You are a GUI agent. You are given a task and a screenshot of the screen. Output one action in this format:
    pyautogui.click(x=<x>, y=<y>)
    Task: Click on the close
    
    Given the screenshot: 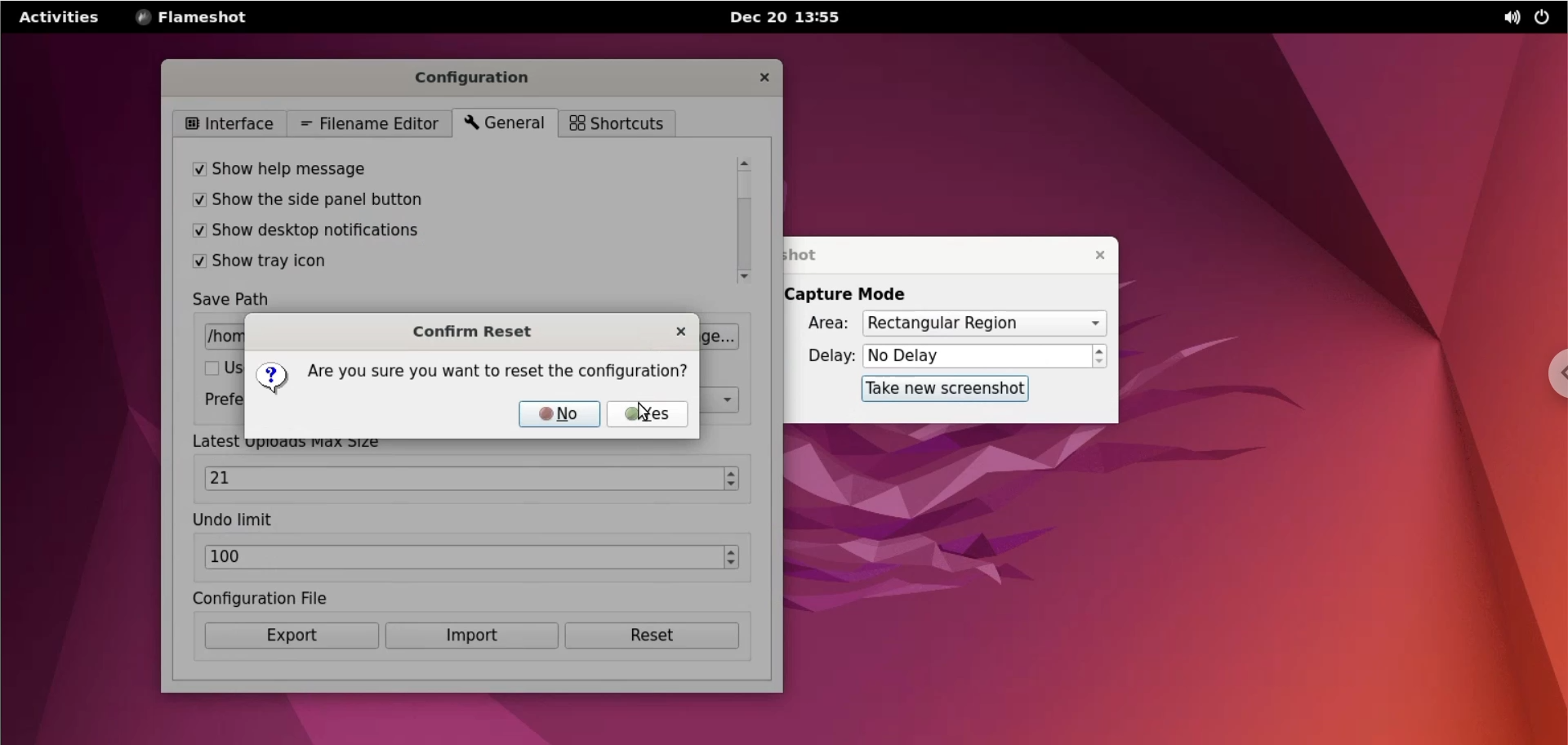 What is the action you would take?
    pyautogui.click(x=754, y=76)
    